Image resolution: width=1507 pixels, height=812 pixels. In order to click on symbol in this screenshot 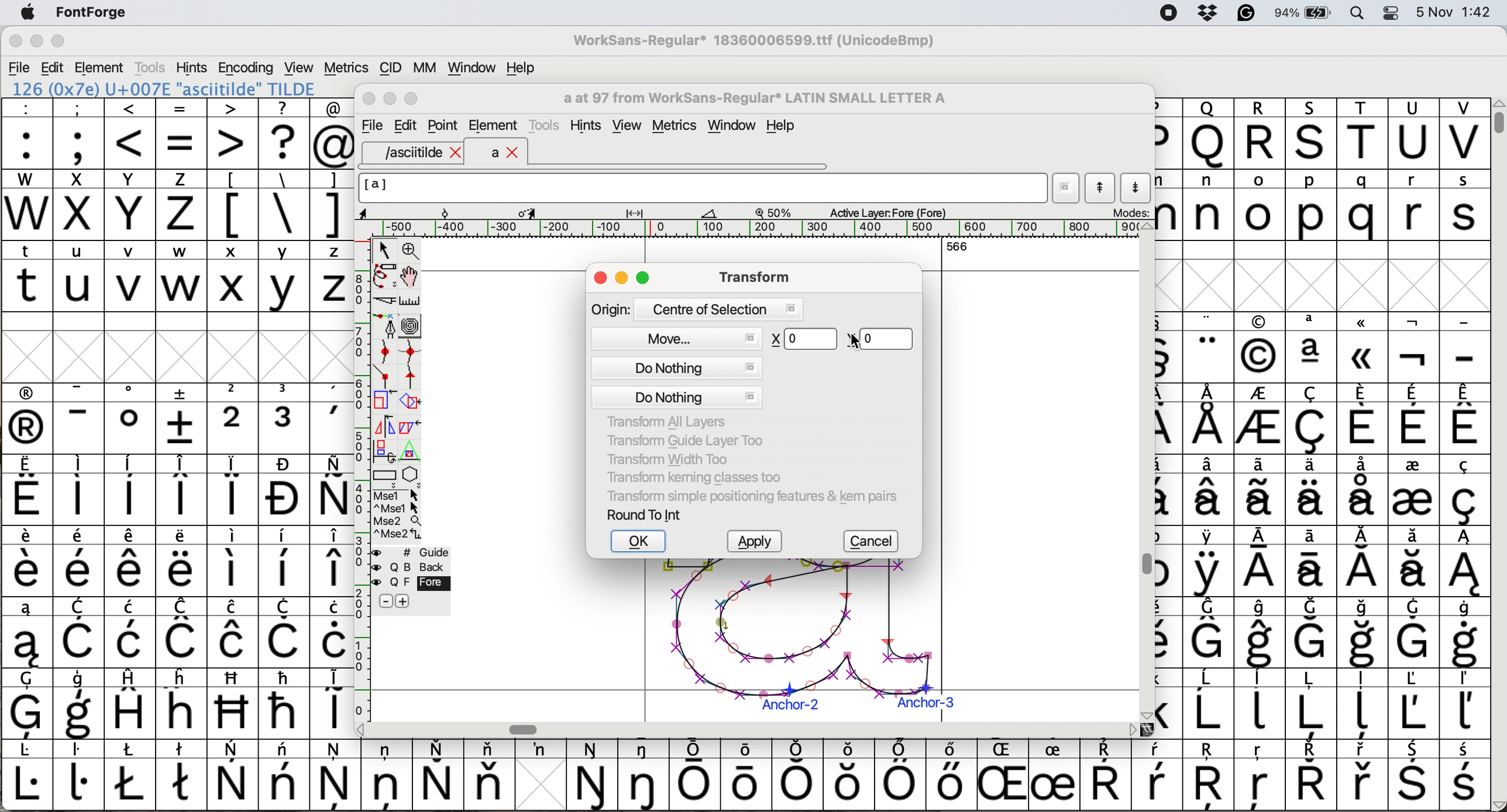, I will do `click(1464, 562)`.